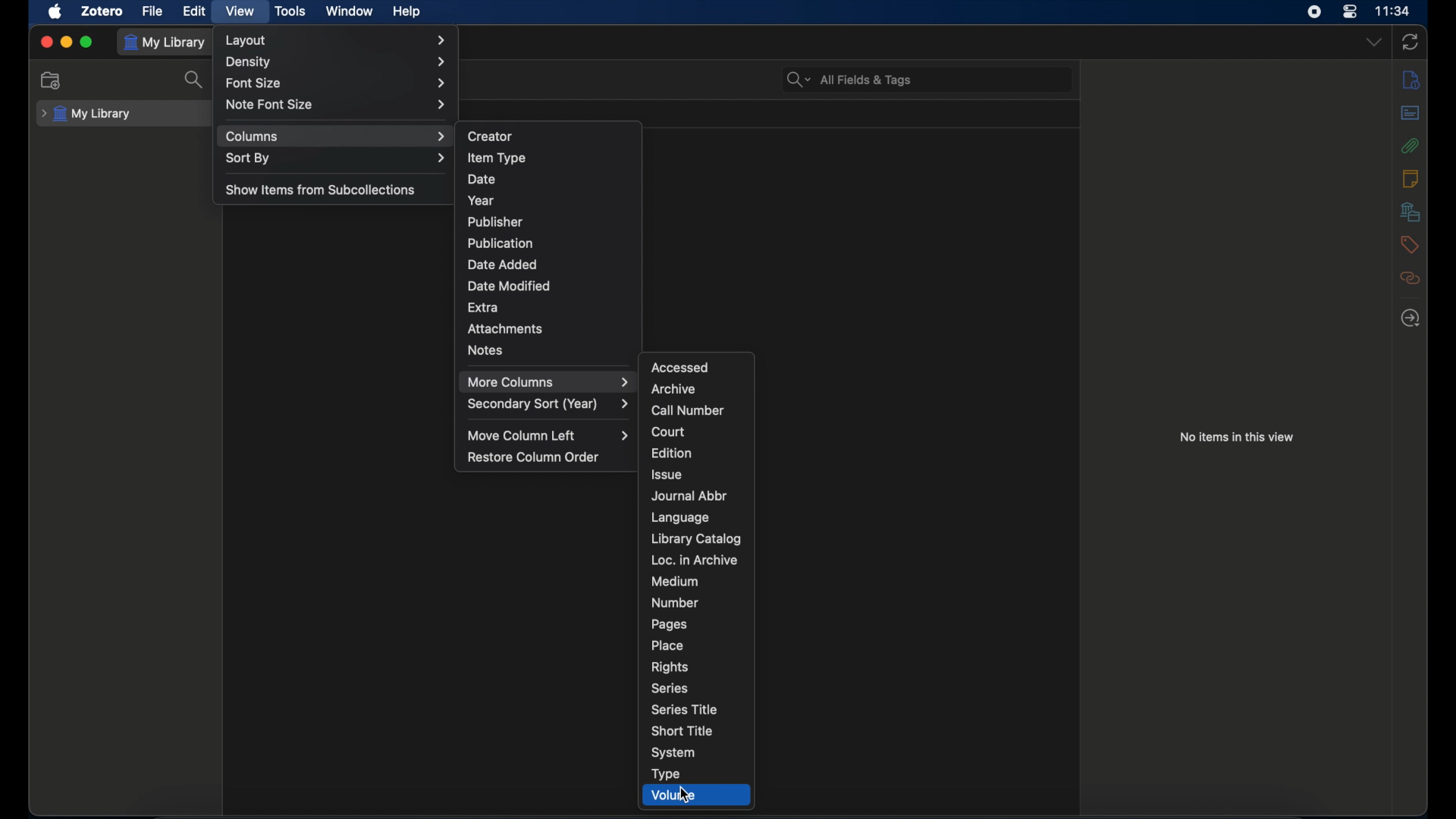  I want to click on edition, so click(673, 453).